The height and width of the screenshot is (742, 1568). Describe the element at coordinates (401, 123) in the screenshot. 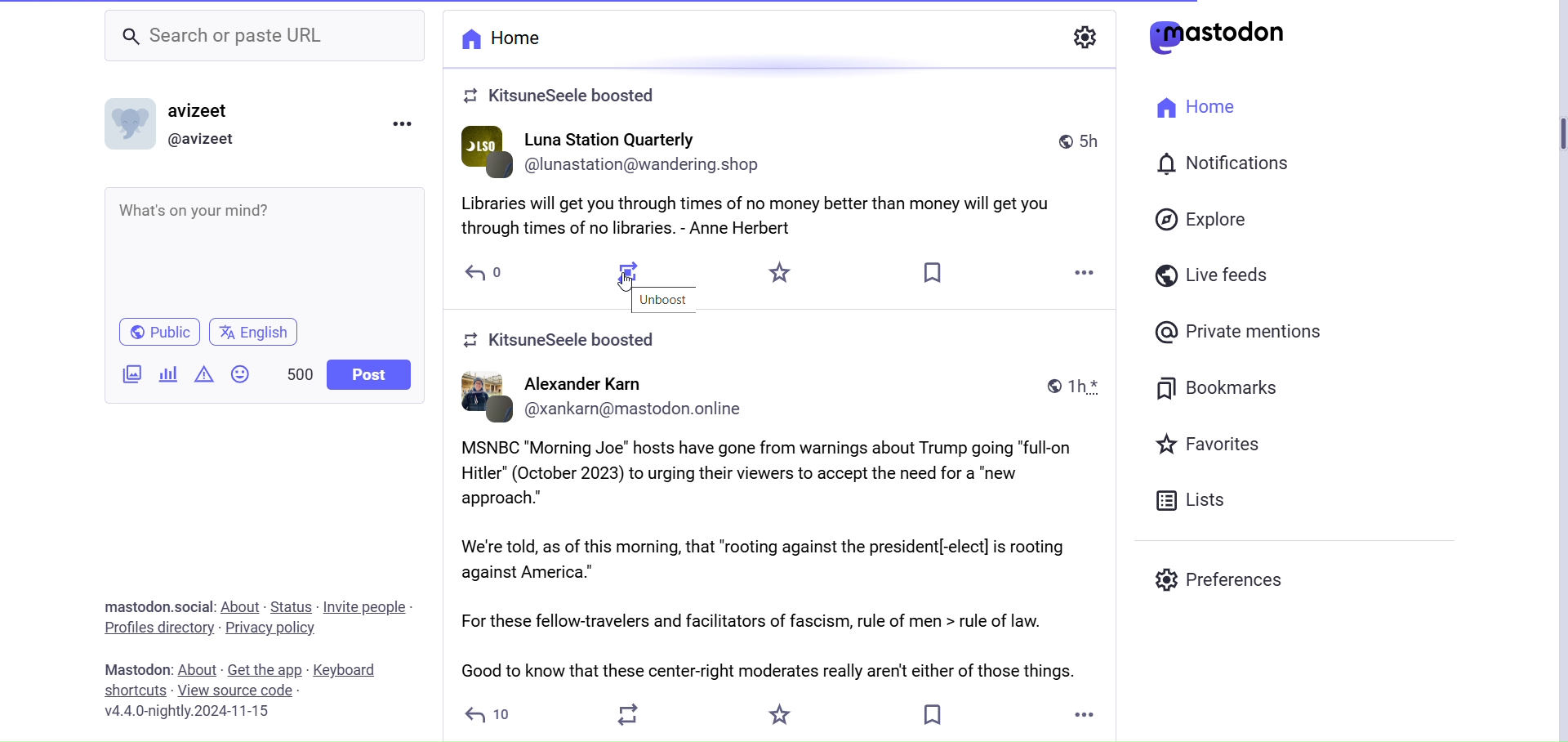

I see `Menu` at that location.